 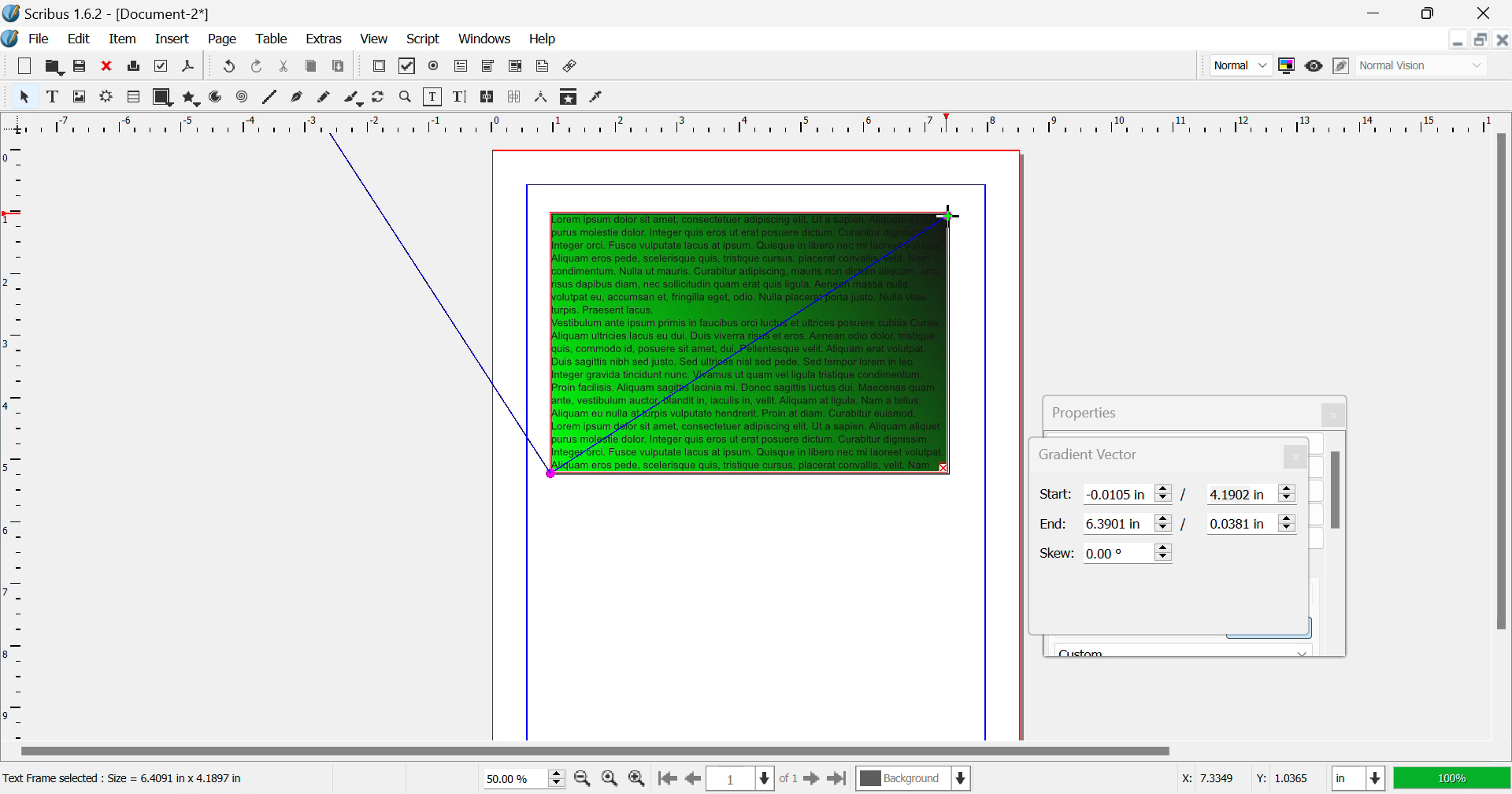 I want to click on Link Annotation, so click(x=572, y=68).